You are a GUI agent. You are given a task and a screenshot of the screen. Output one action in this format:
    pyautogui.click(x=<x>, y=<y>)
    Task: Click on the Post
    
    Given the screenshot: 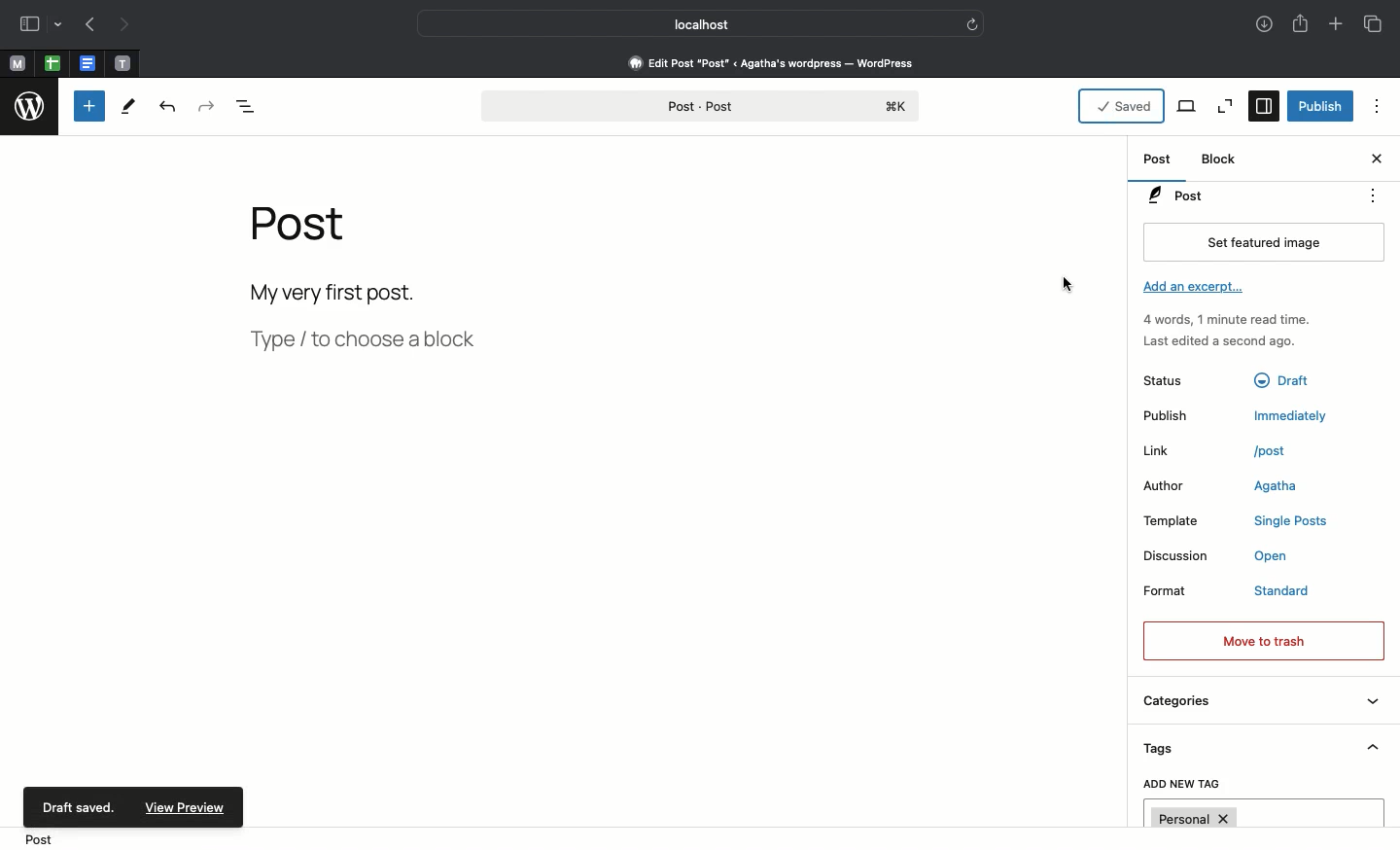 What is the action you would take?
    pyautogui.click(x=302, y=225)
    